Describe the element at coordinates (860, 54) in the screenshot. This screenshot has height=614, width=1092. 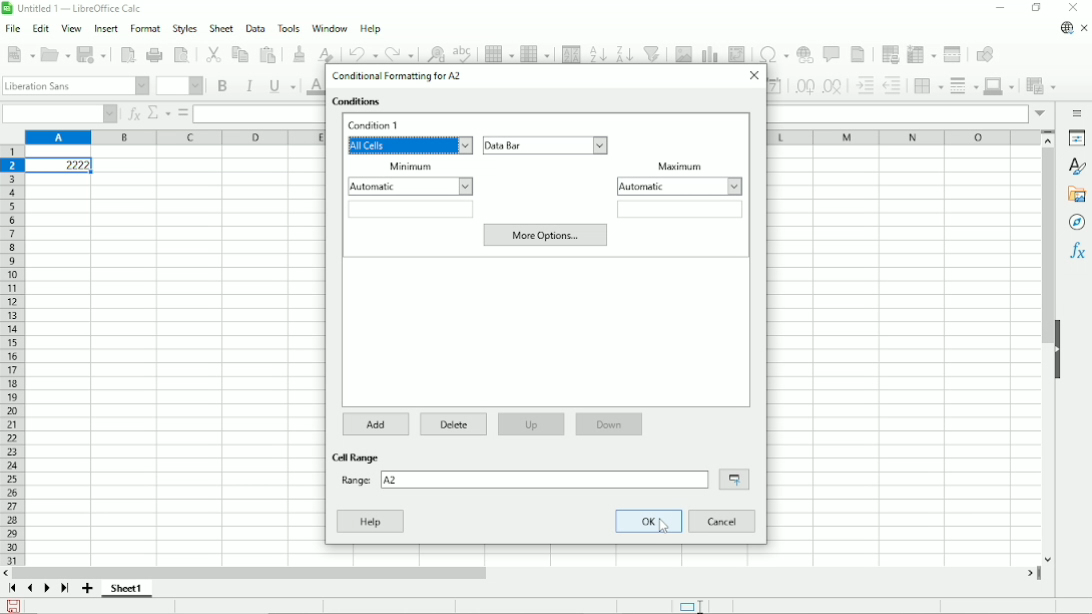
I see `Headers and footers` at that location.